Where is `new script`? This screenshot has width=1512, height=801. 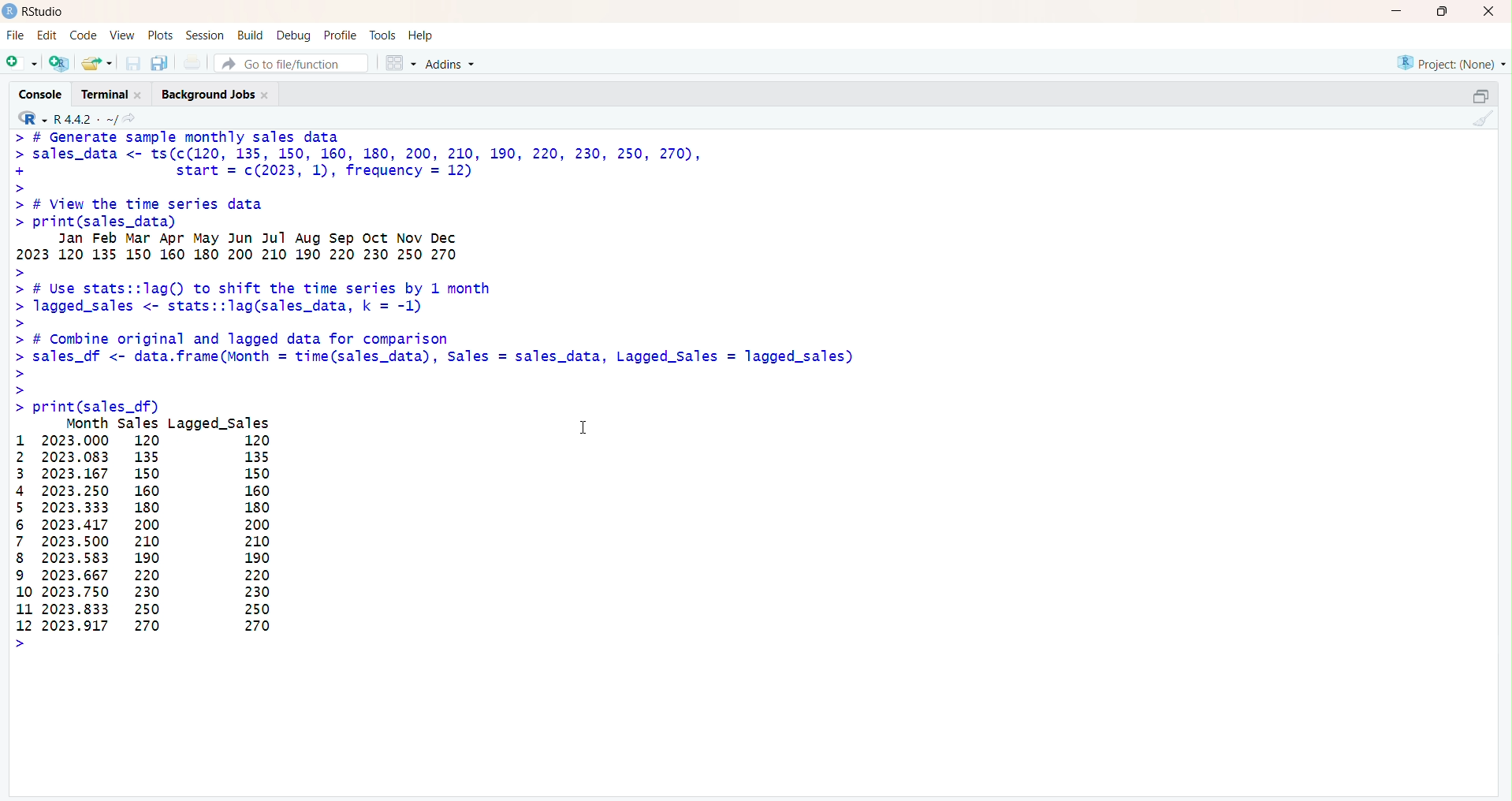 new script is located at coordinates (20, 63).